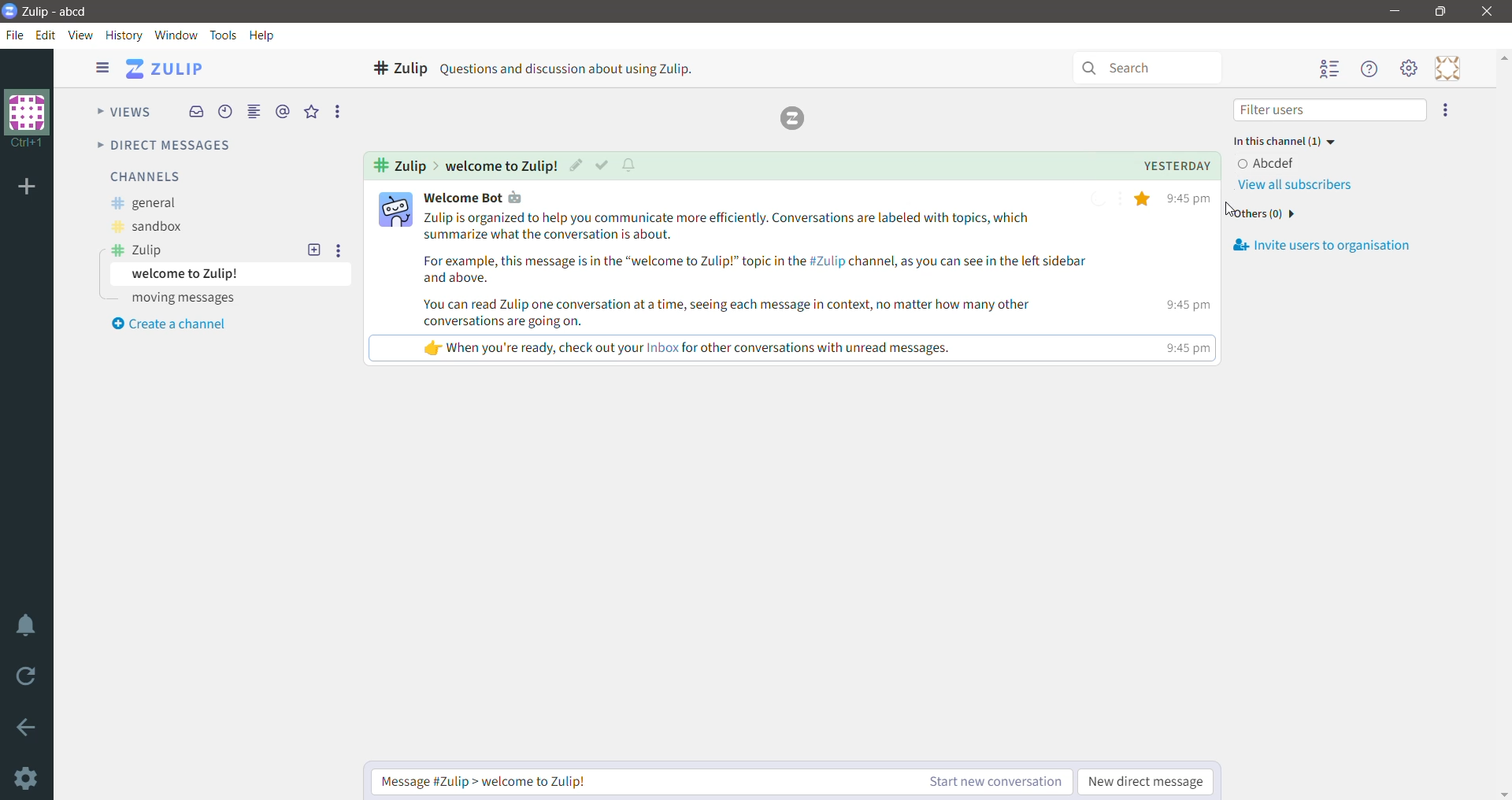 The height and width of the screenshot is (800, 1512). Describe the element at coordinates (588, 67) in the screenshot. I see `Questions and discussion about using Zulip` at that location.